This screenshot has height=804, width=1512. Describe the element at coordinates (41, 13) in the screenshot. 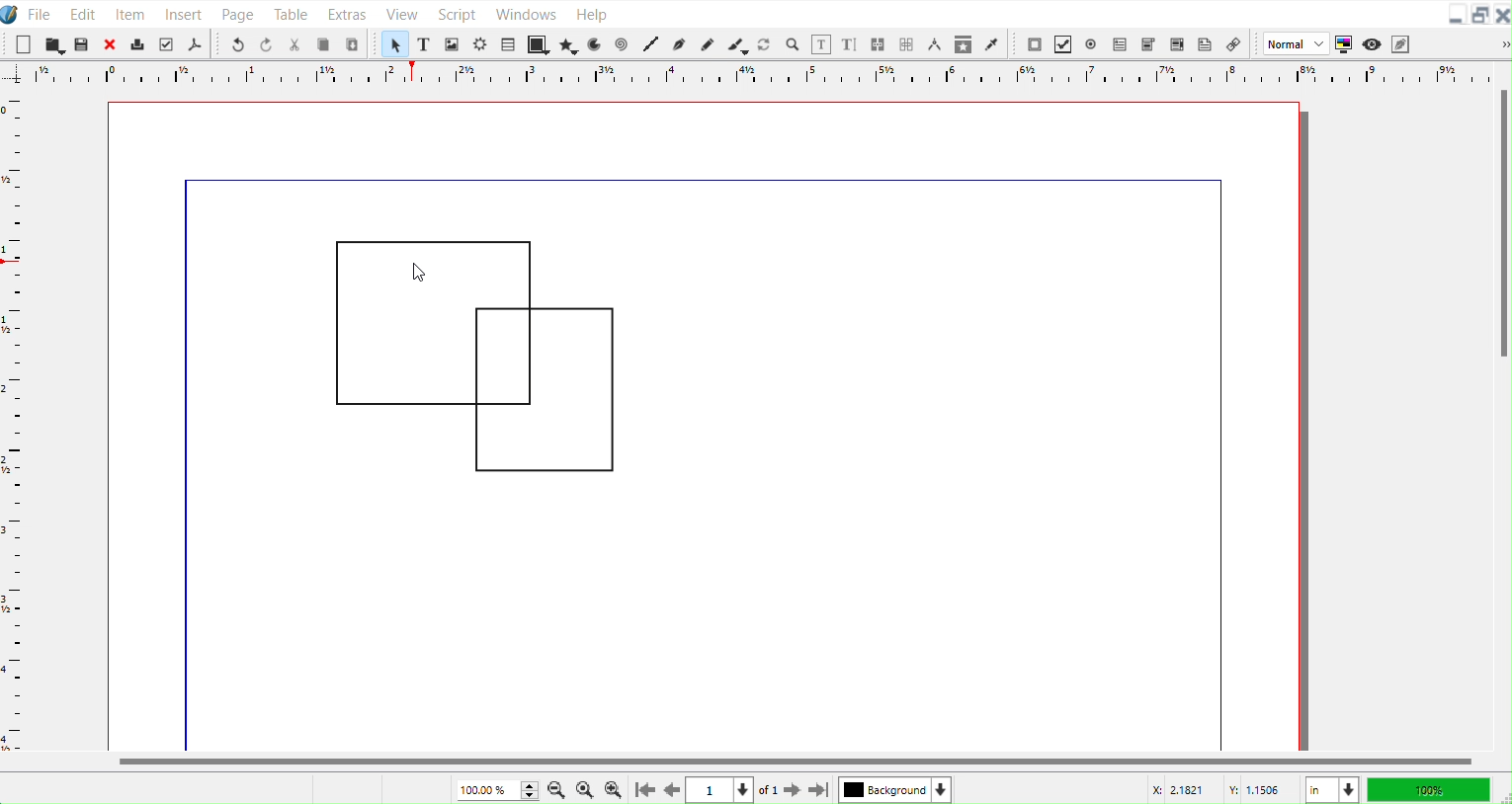

I see `File` at that location.